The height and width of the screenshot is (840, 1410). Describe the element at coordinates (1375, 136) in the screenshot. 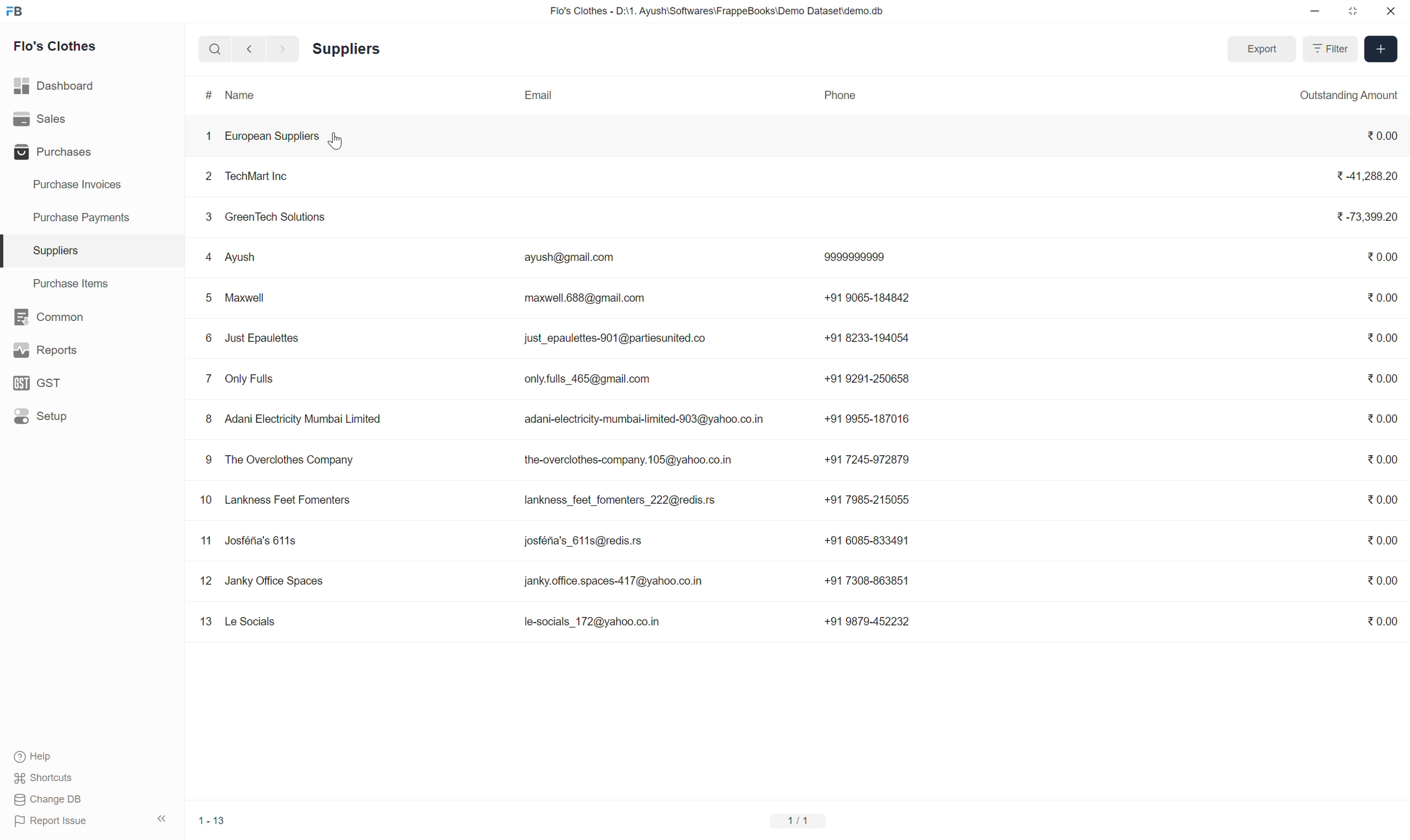

I see `%0.00` at that location.